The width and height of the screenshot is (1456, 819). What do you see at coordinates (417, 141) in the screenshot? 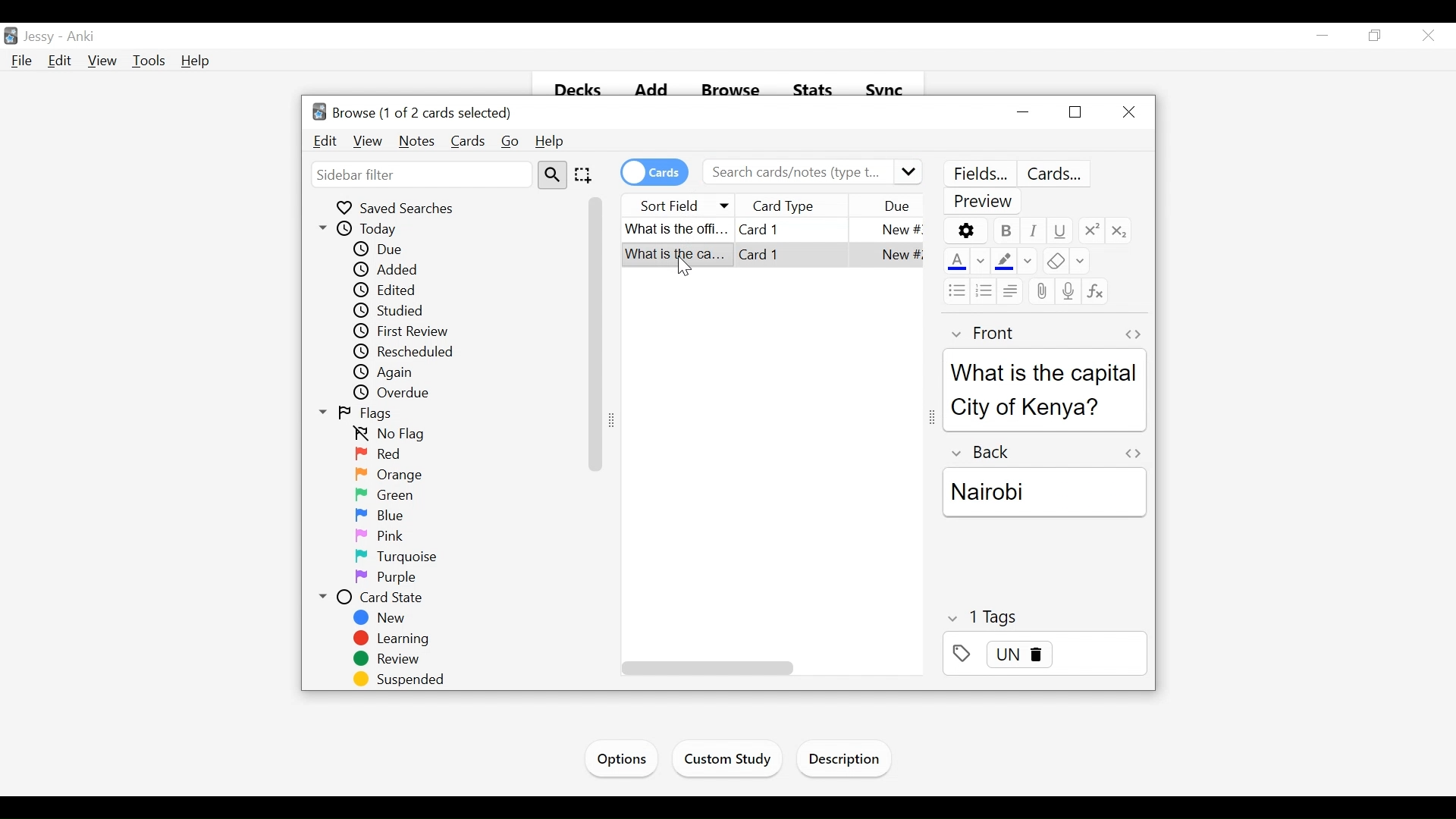
I see `Notes` at bounding box center [417, 141].